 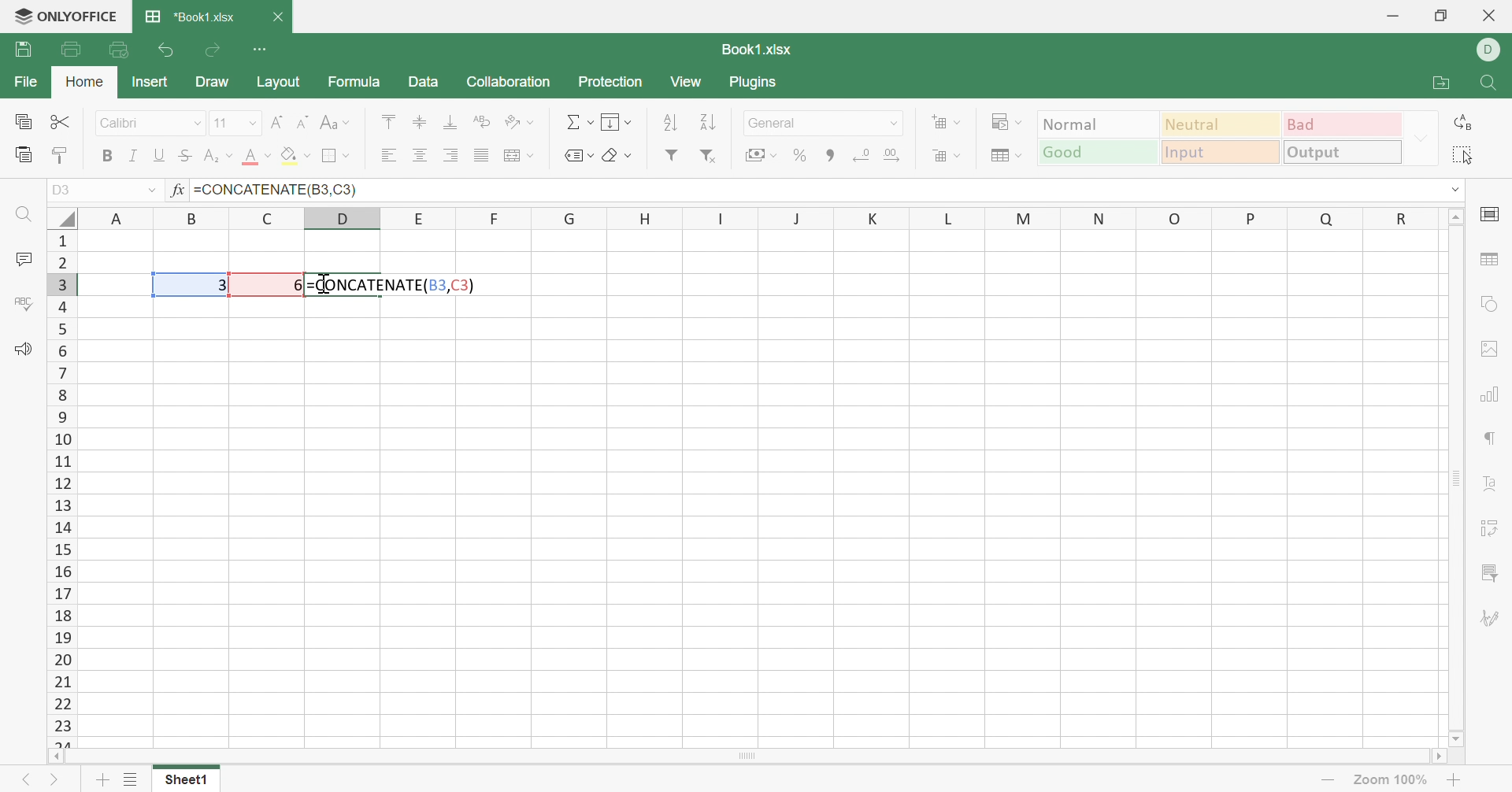 What do you see at coordinates (674, 154) in the screenshot?
I see `Filter` at bounding box center [674, 154].